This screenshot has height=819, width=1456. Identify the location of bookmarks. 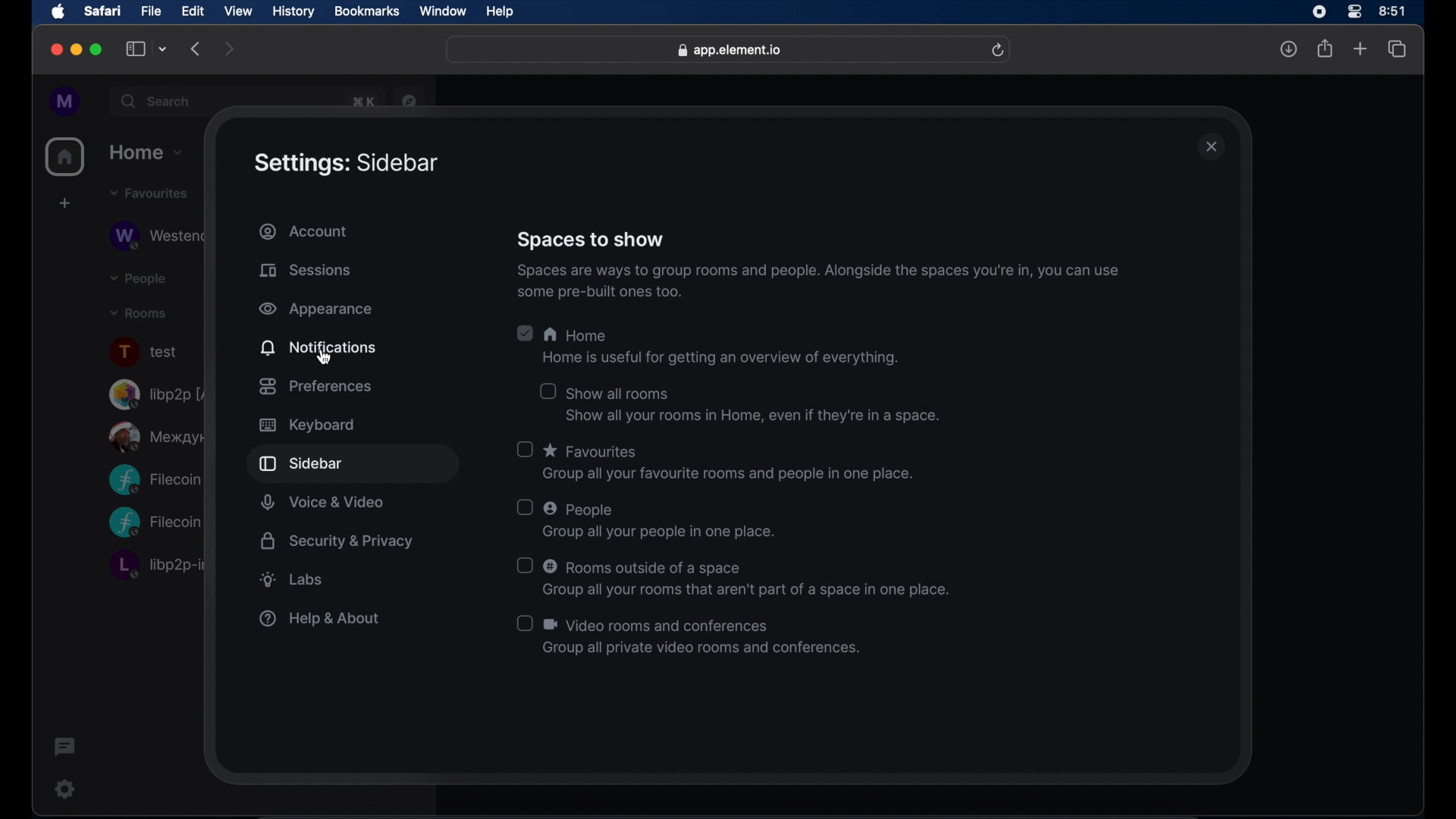
(368, 12).